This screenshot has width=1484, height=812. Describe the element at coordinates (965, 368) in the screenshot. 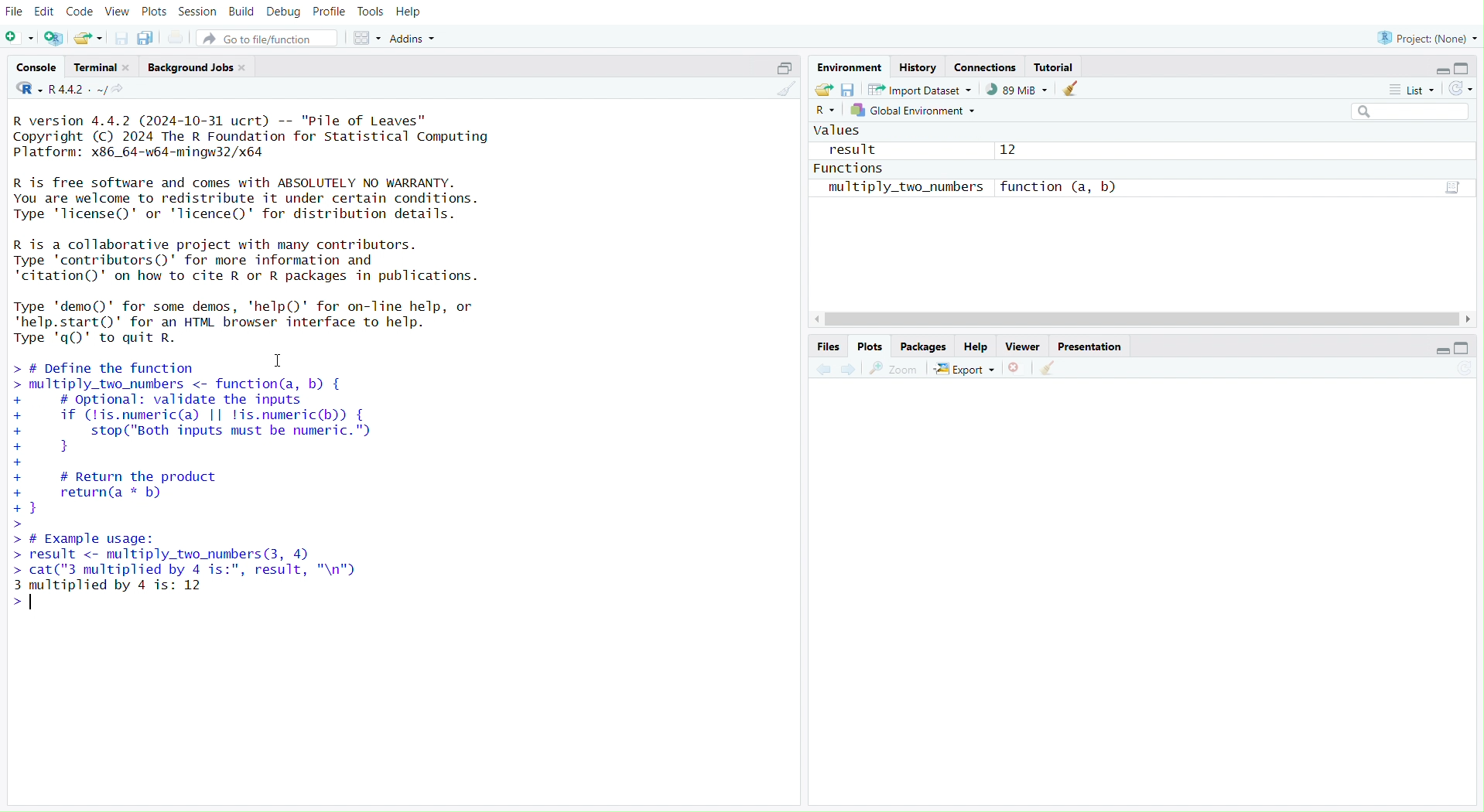

I see `Export` at that location.